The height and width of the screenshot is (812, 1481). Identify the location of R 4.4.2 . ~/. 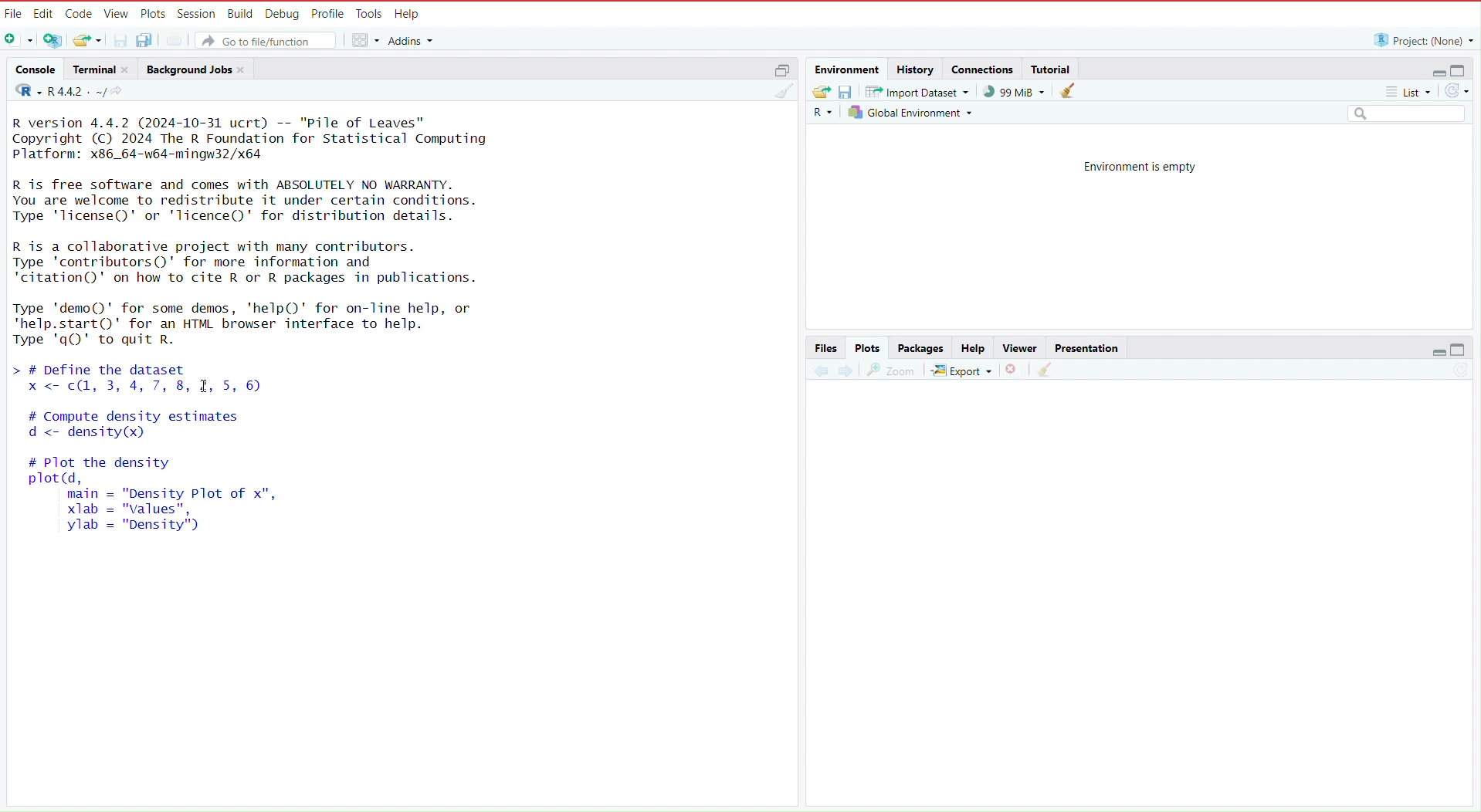
(77, 92).